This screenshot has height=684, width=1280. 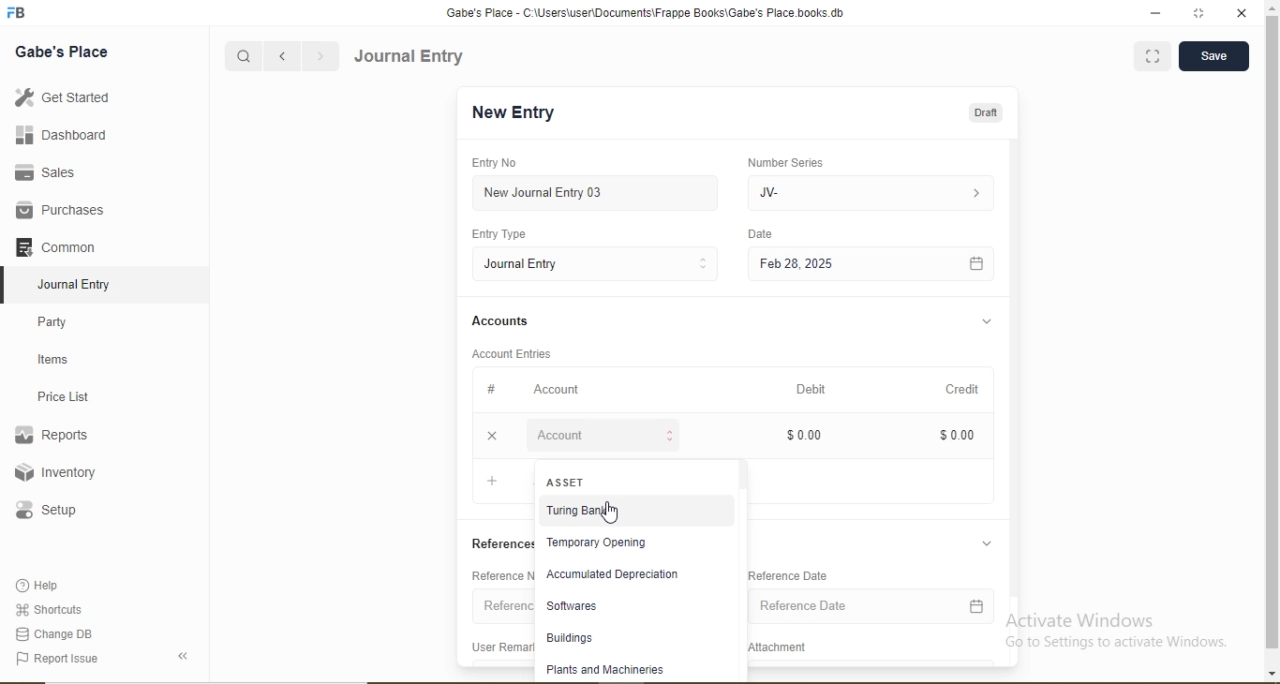 What do you see at coordinates (580, 511) in the screenshot?
I see `Turing Bank` at bounding box center [580, 511].